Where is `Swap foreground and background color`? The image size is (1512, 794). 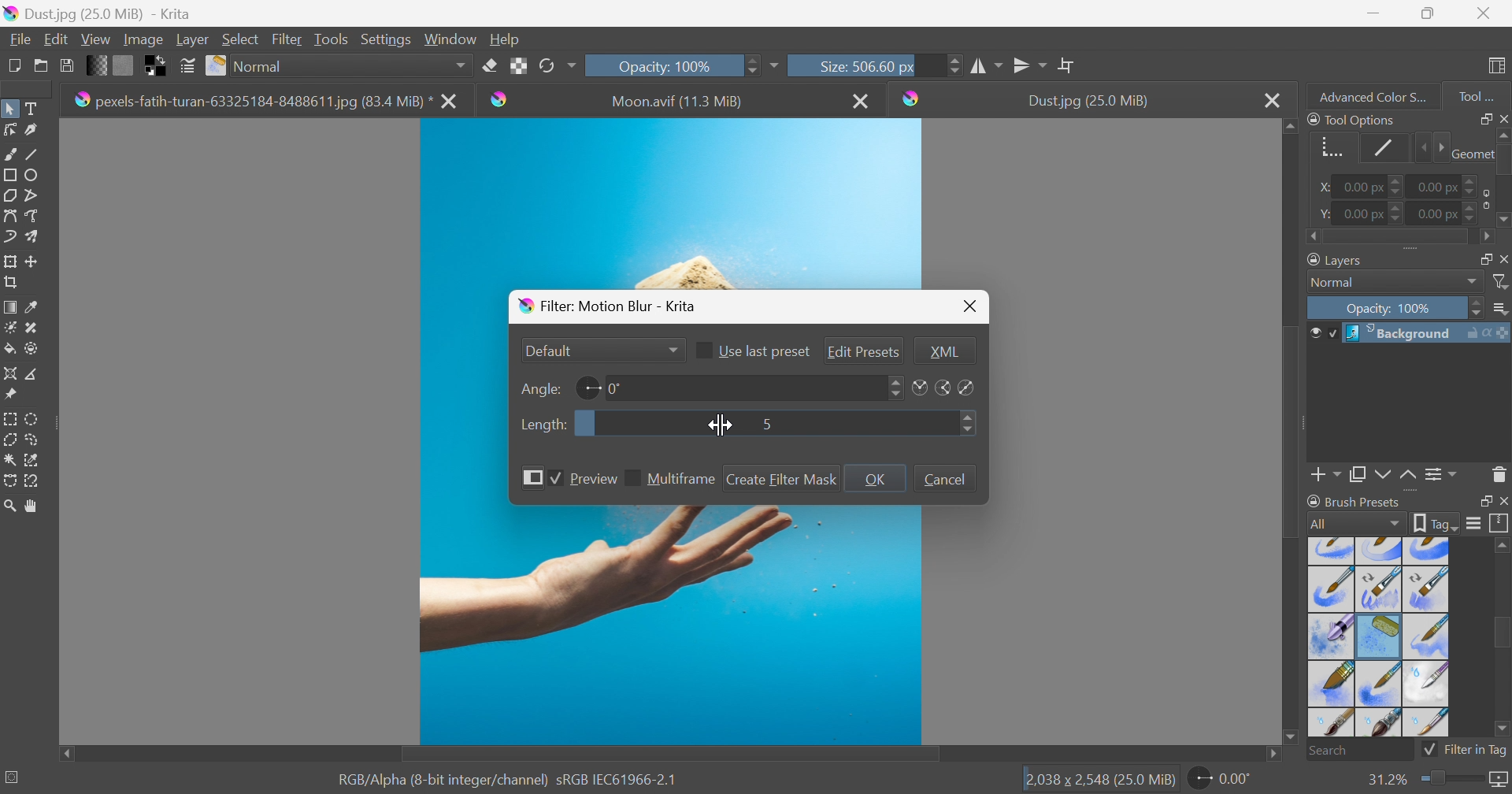 Swap foreground and background color is located at coordinates (158, 66).